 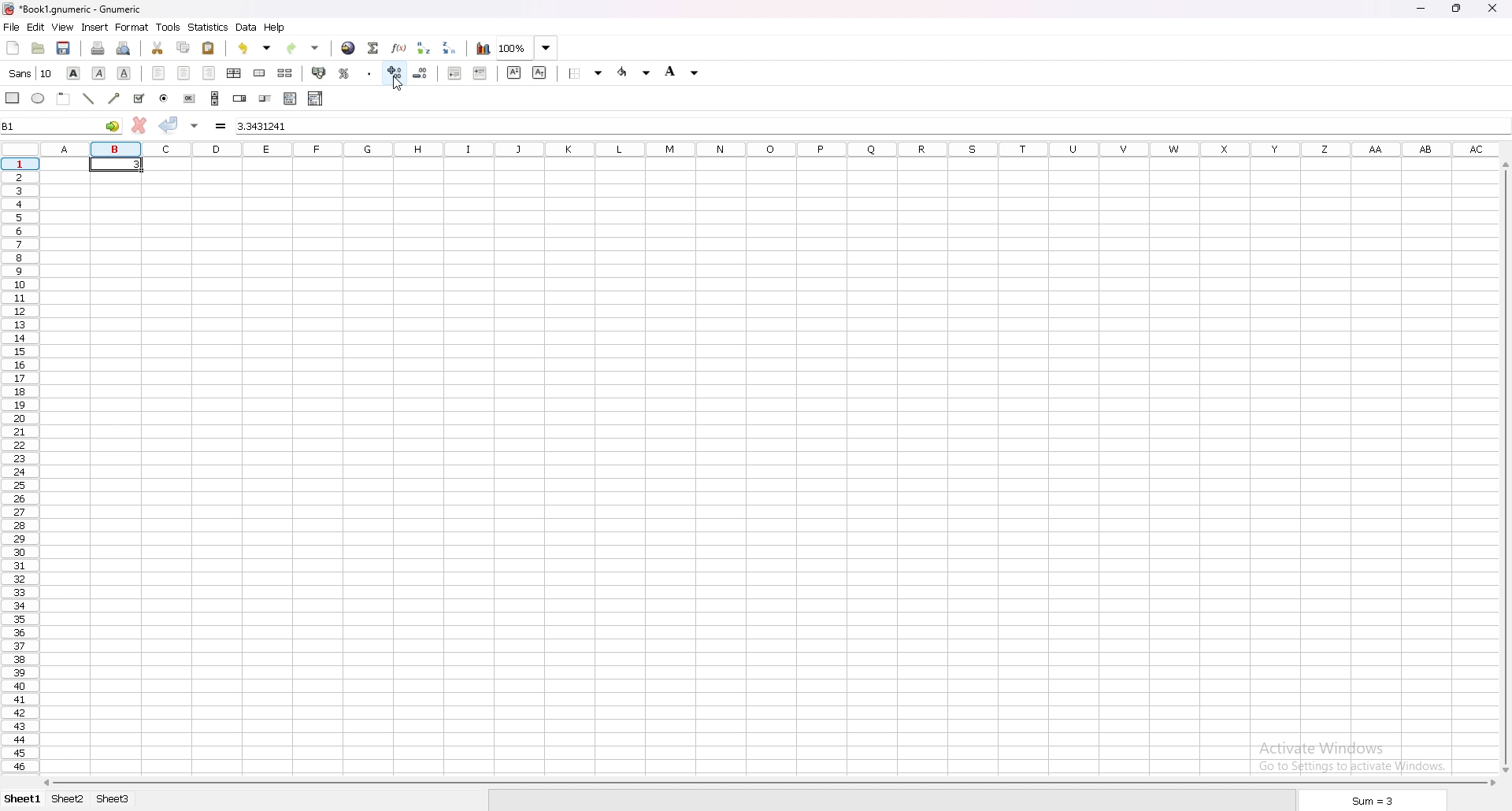 What do you see at coordinates (113, 798) in the screenshot?
I see `sheet 3` at bounding box center [113, 798].